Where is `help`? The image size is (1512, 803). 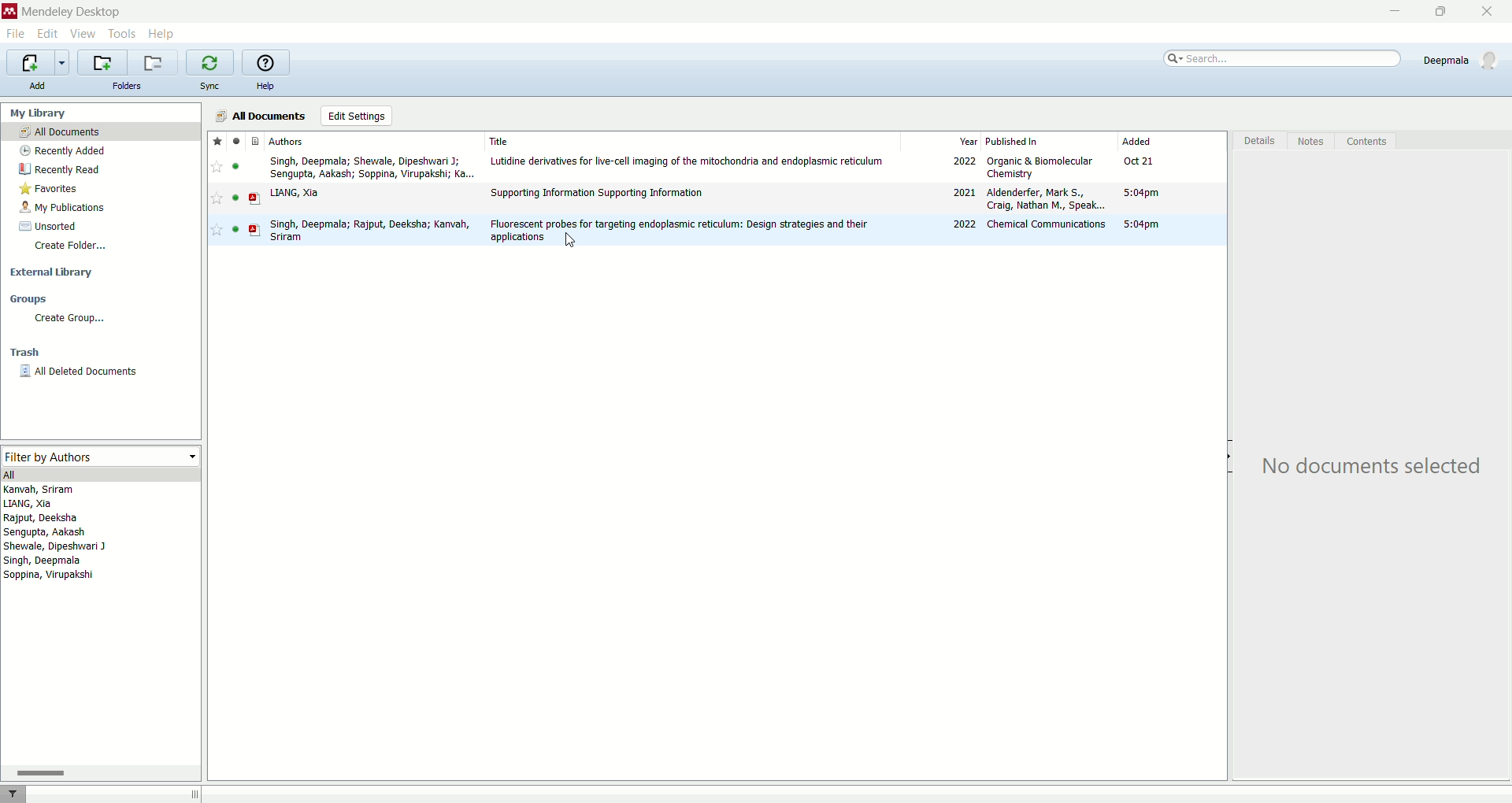
help is located at coordinates (265, 87).